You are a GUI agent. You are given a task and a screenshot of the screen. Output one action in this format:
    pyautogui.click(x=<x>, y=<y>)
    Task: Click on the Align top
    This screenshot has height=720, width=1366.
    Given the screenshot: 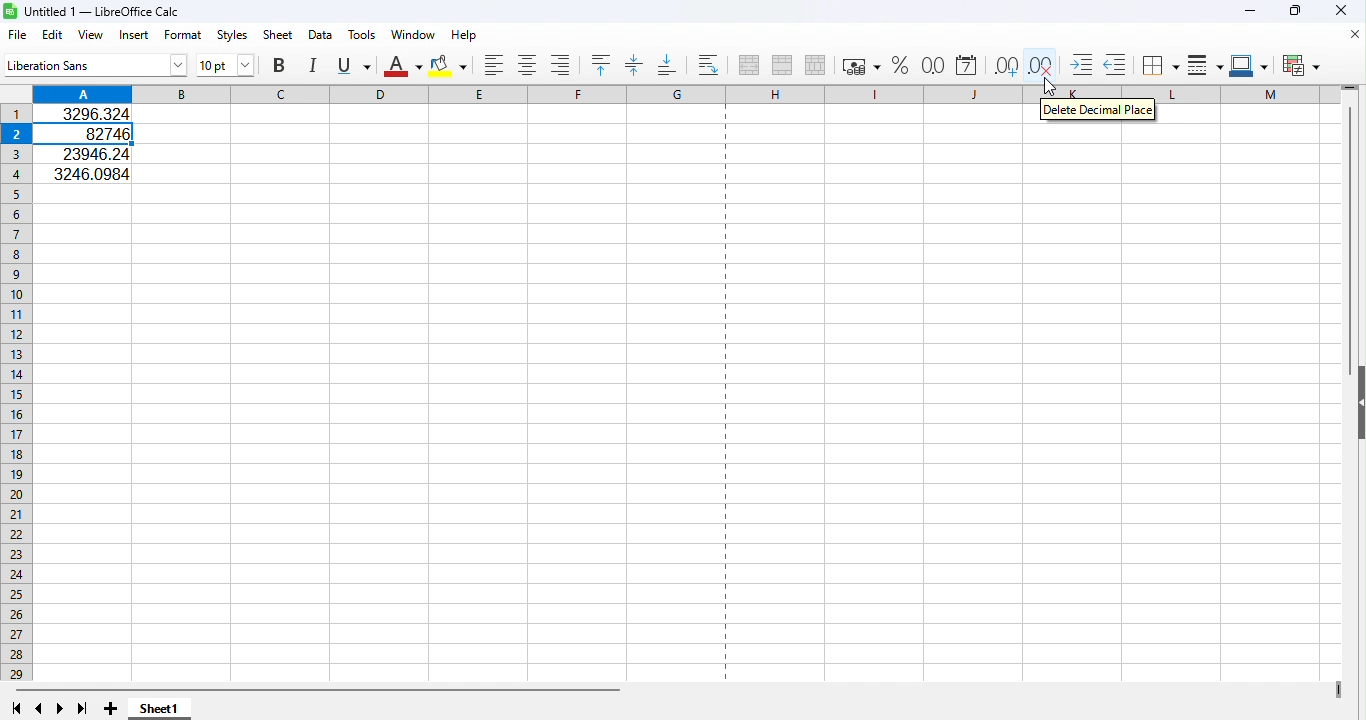 What is the action you would take?
    pyautogui.click(x=605, y=63)
    